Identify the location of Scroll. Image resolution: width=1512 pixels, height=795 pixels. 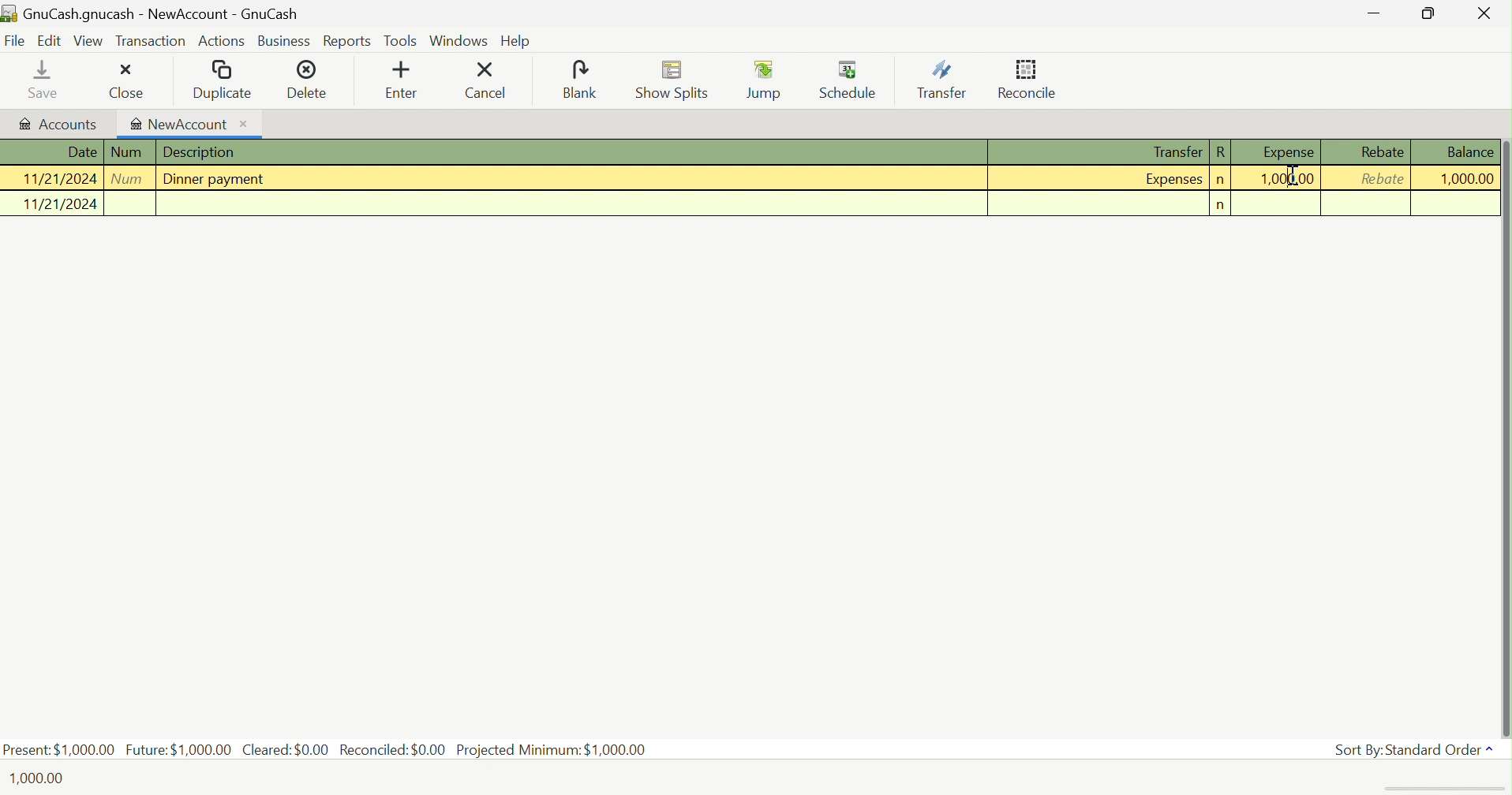
(1505, 423).